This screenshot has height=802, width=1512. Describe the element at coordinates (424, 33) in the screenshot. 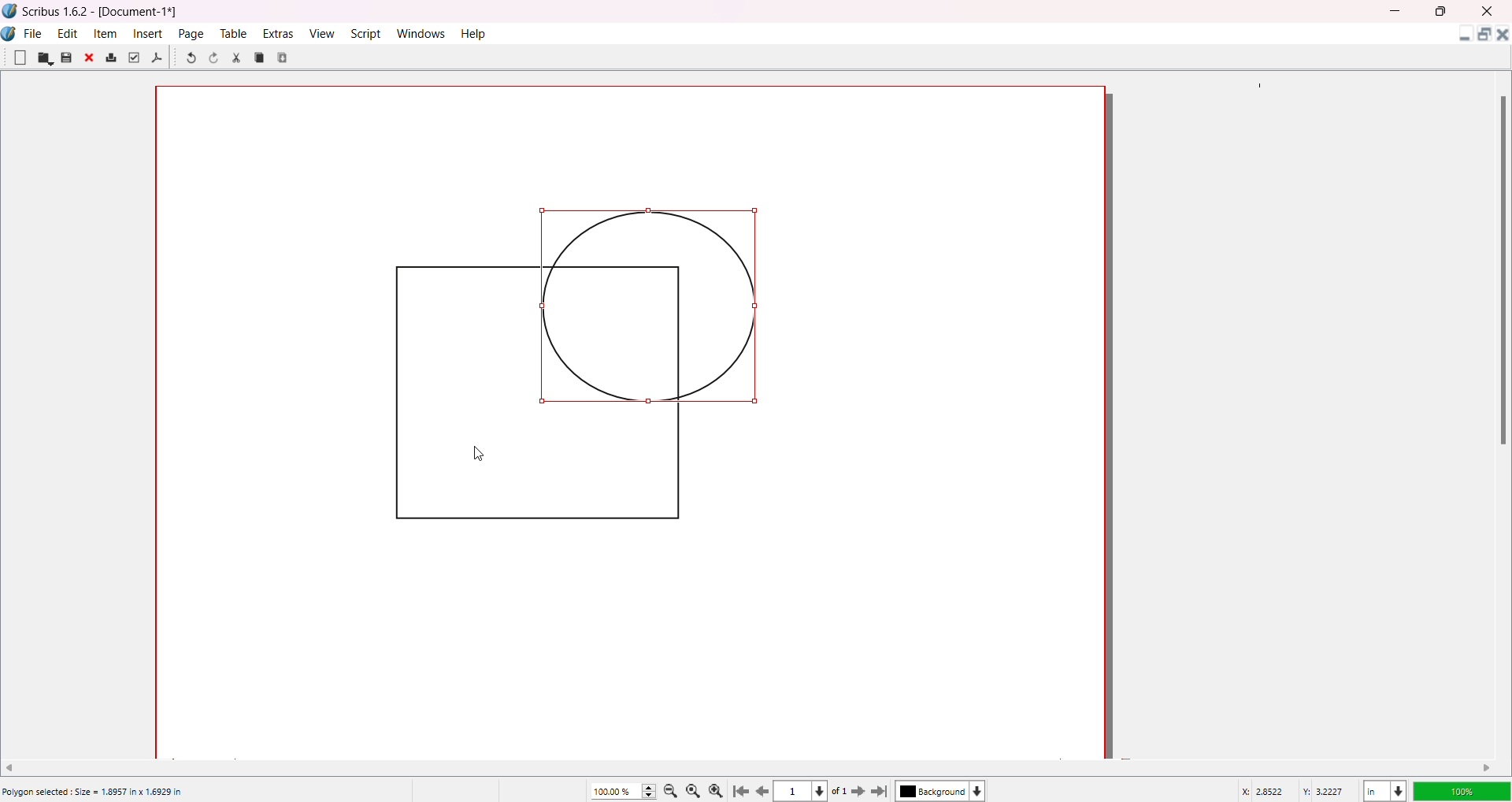

I see `Windows` at that location.